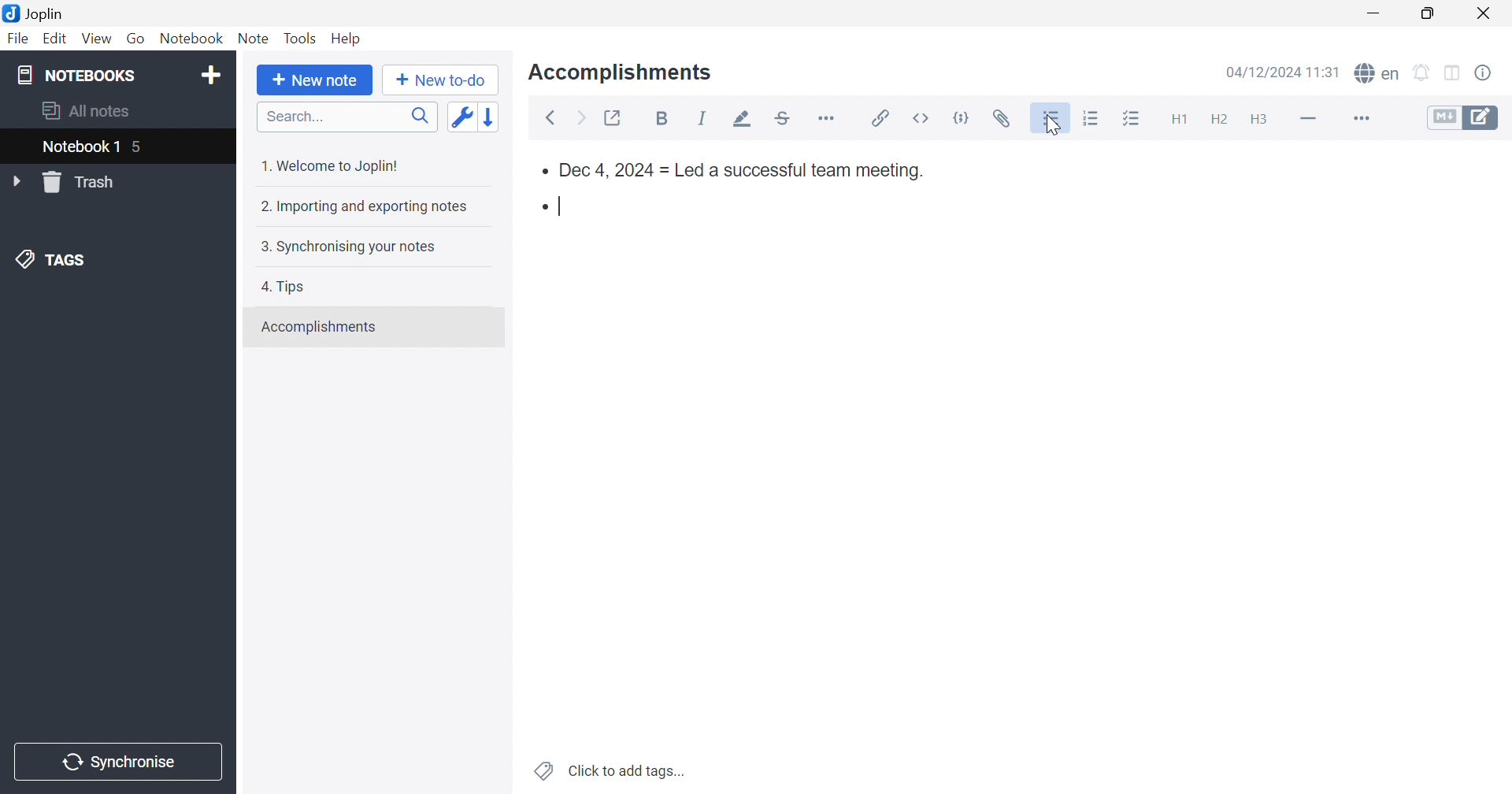 This screenshot has width=1512, height=794. What do you see at coordinates (299, 38) in the screenshot?
I see `Tools` at bounding box center [299, 38].